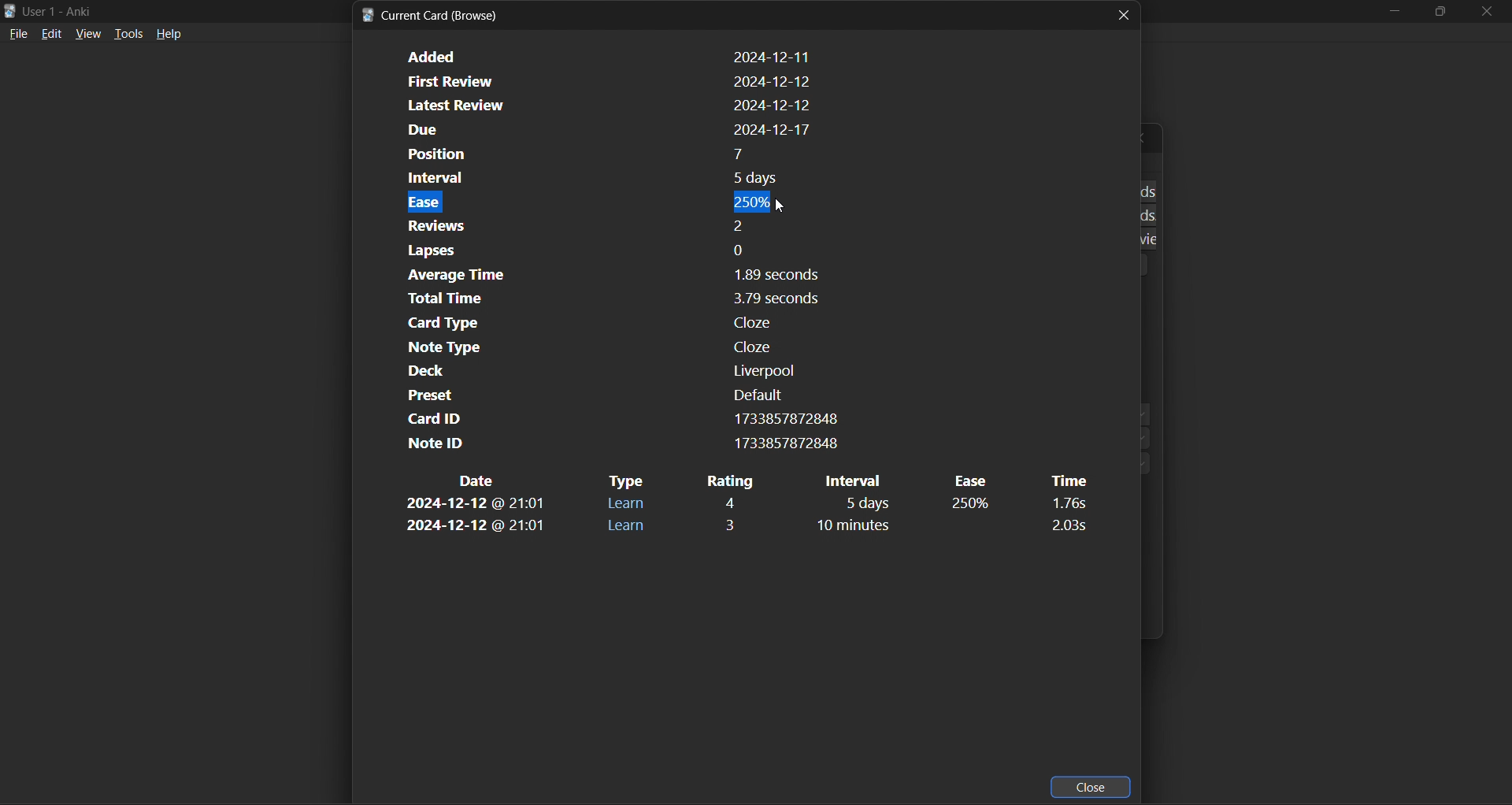  I want to click on view, so click(88, 35).